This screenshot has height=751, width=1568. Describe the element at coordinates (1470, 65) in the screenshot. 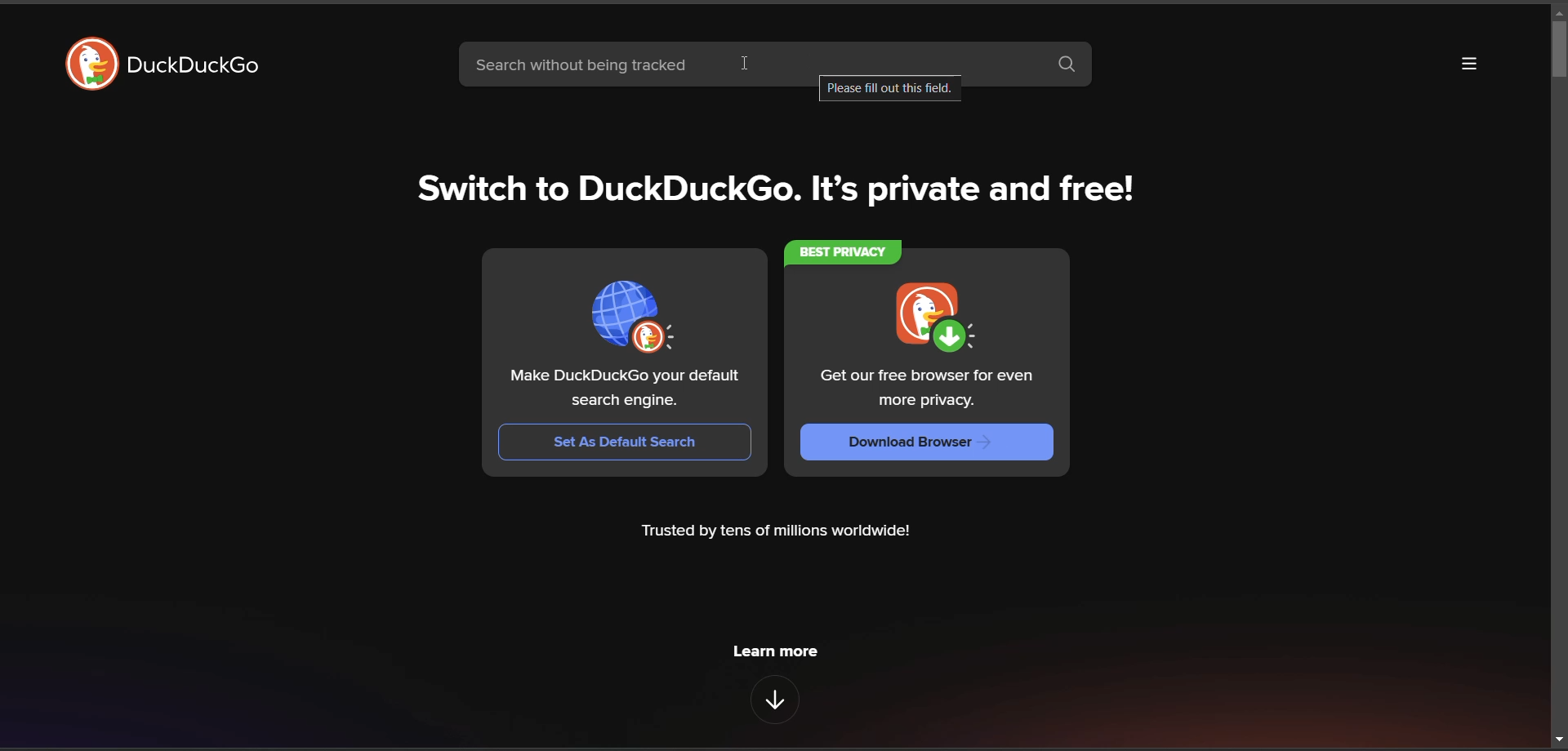

I see `more options` at that location.